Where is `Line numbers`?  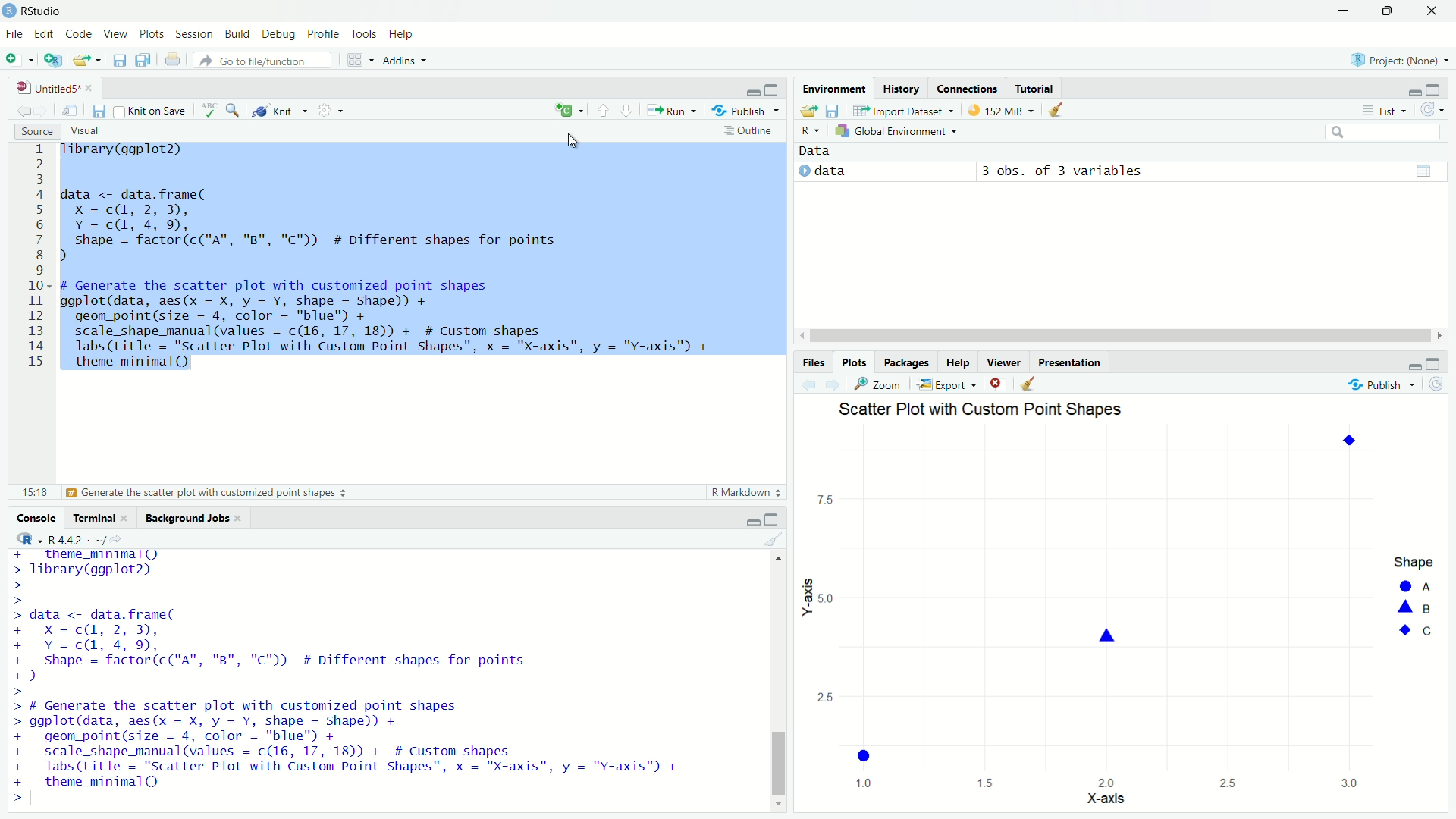 Line numbers is located at coordinates (37, 257).